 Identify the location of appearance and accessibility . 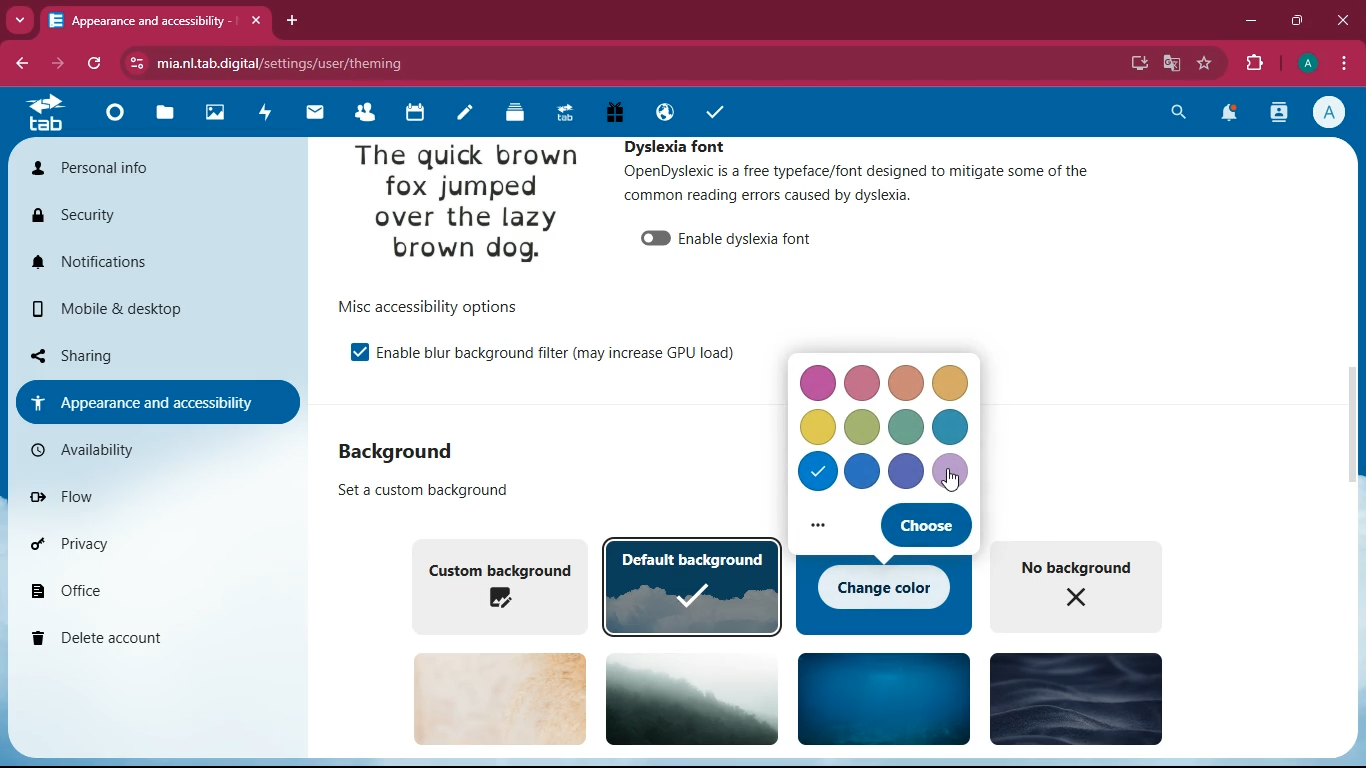
(159, 21).